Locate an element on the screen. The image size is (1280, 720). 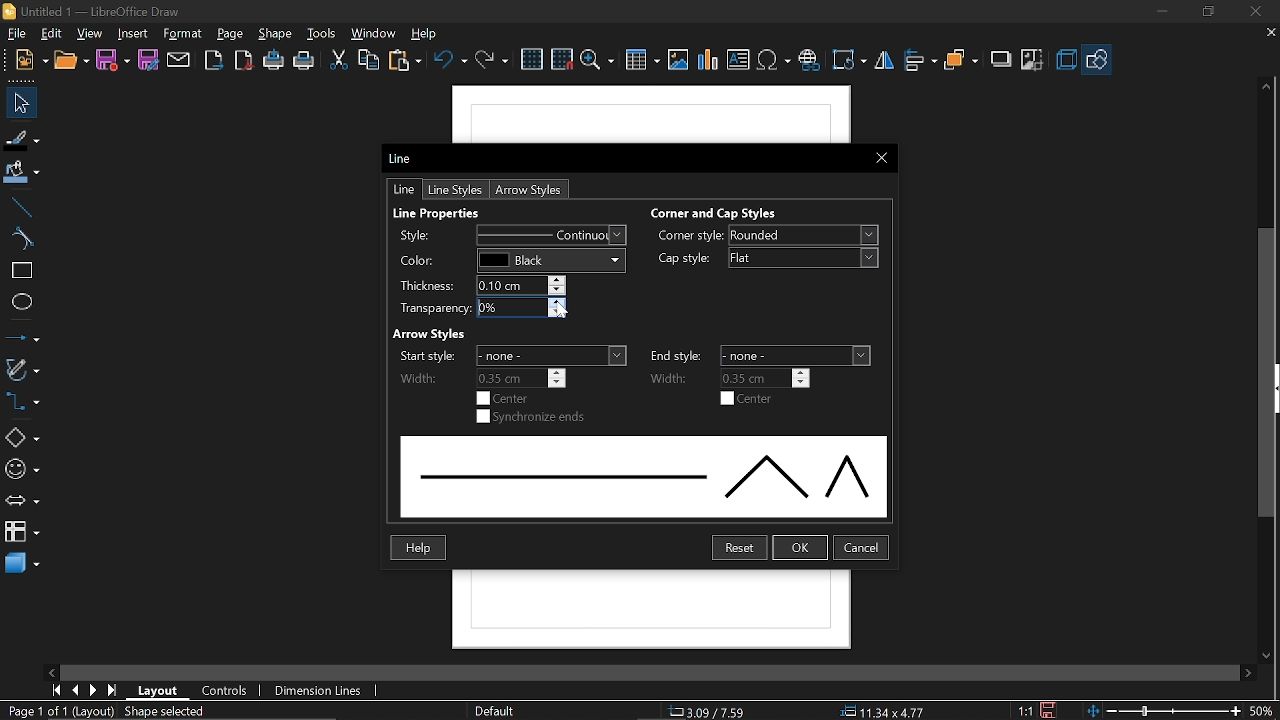
next page is located at coordinates (93, 691).